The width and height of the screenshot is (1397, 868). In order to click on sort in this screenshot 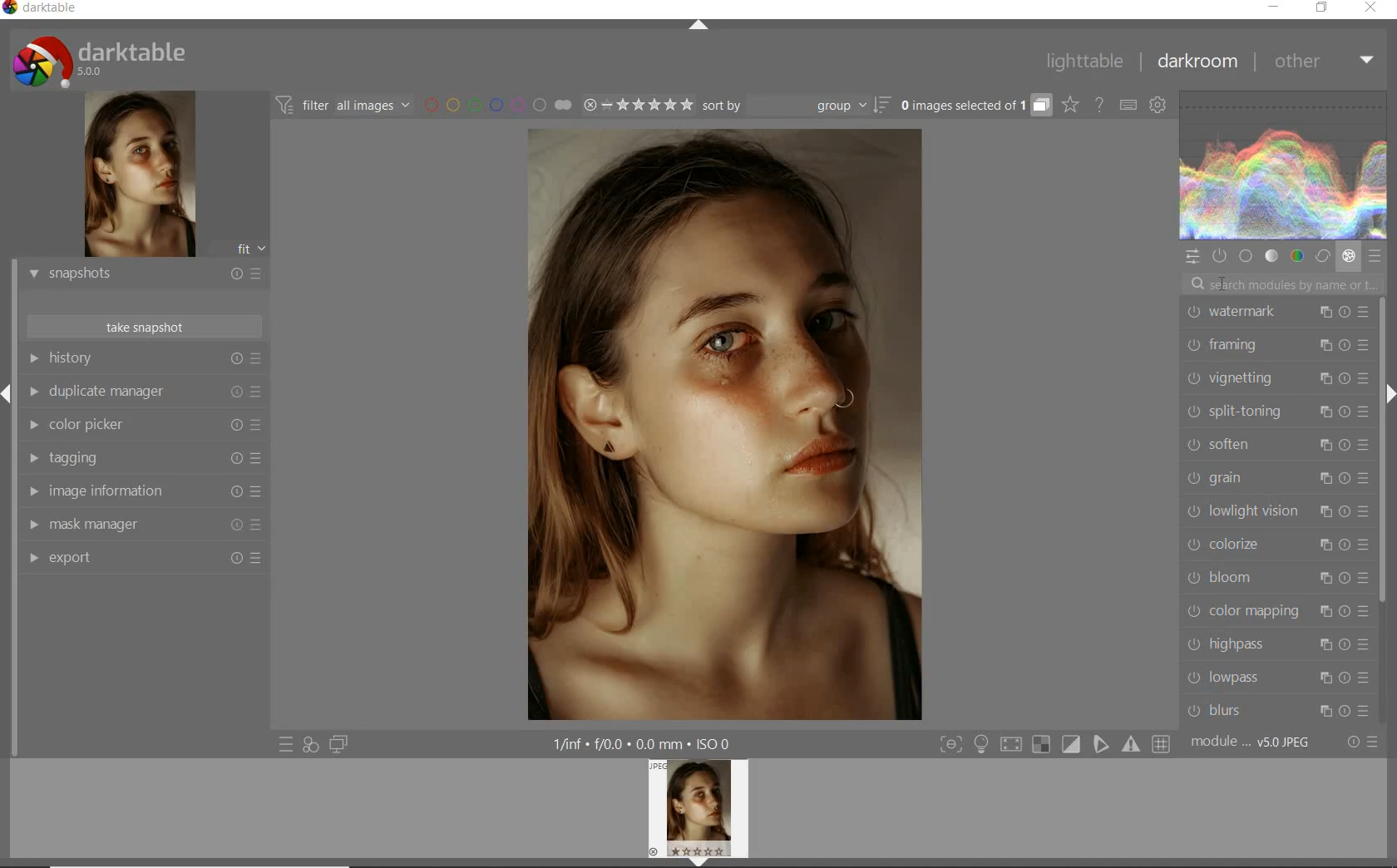, I will do `click(797, 105)`.